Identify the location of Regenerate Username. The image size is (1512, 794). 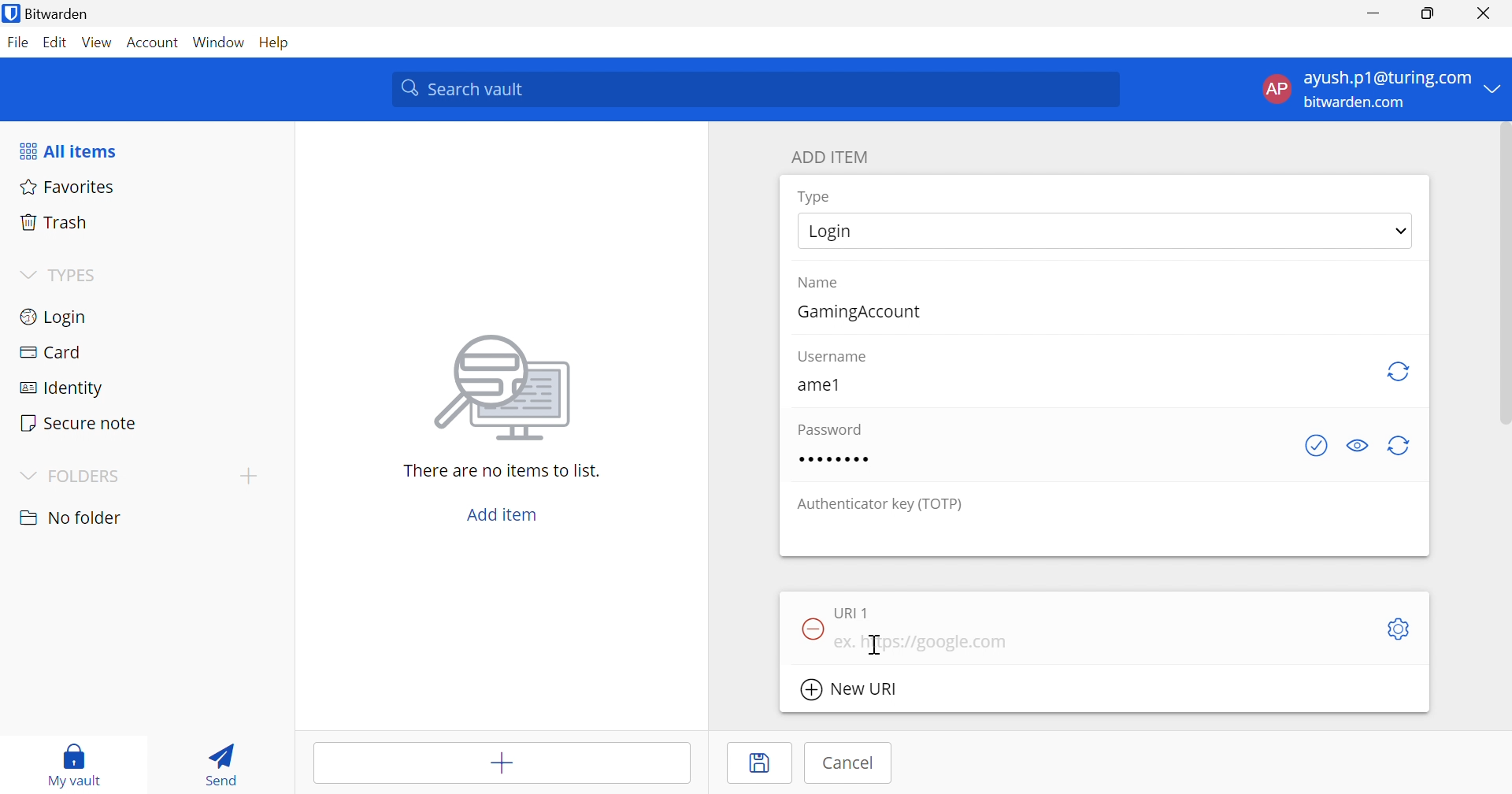
(1400, 371).